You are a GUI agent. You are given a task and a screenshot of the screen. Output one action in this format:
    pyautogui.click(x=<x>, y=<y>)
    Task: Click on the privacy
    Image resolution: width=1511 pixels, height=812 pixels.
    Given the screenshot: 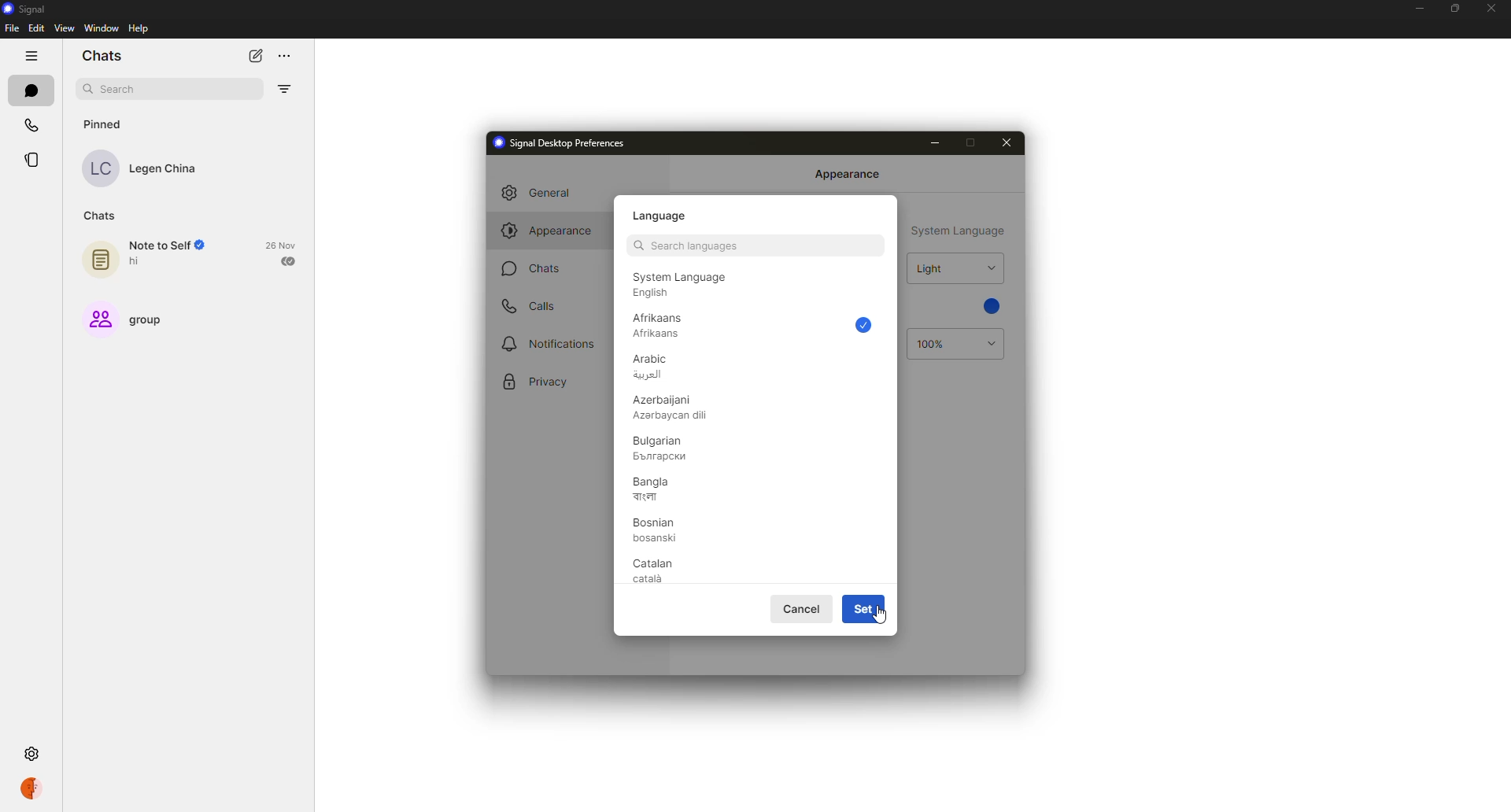 What is the action you would take?
    pyautogui.click(x=534, y=382)
    